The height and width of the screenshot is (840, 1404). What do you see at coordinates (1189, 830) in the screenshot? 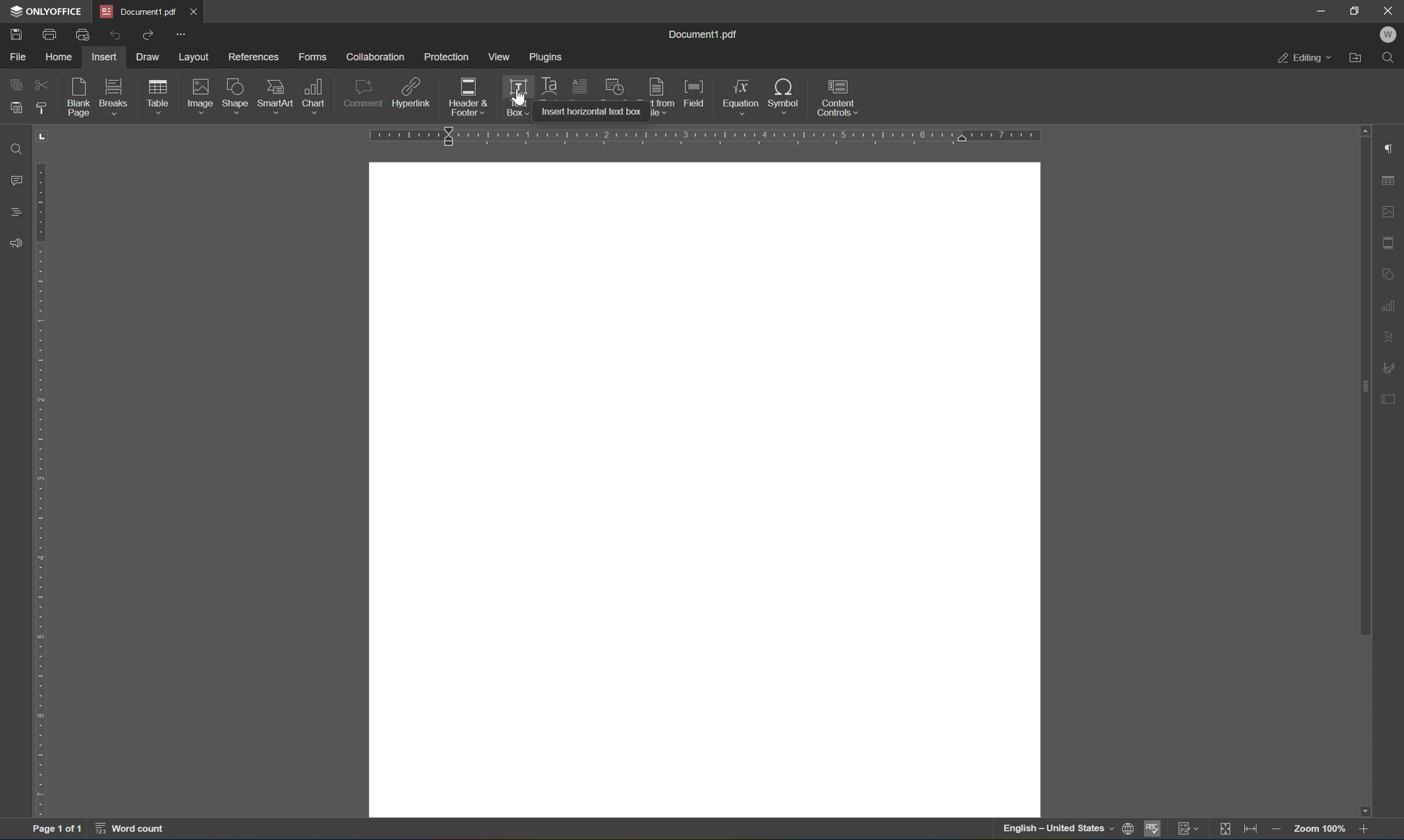
I see `track changes` at bounding box center [1189, 830].